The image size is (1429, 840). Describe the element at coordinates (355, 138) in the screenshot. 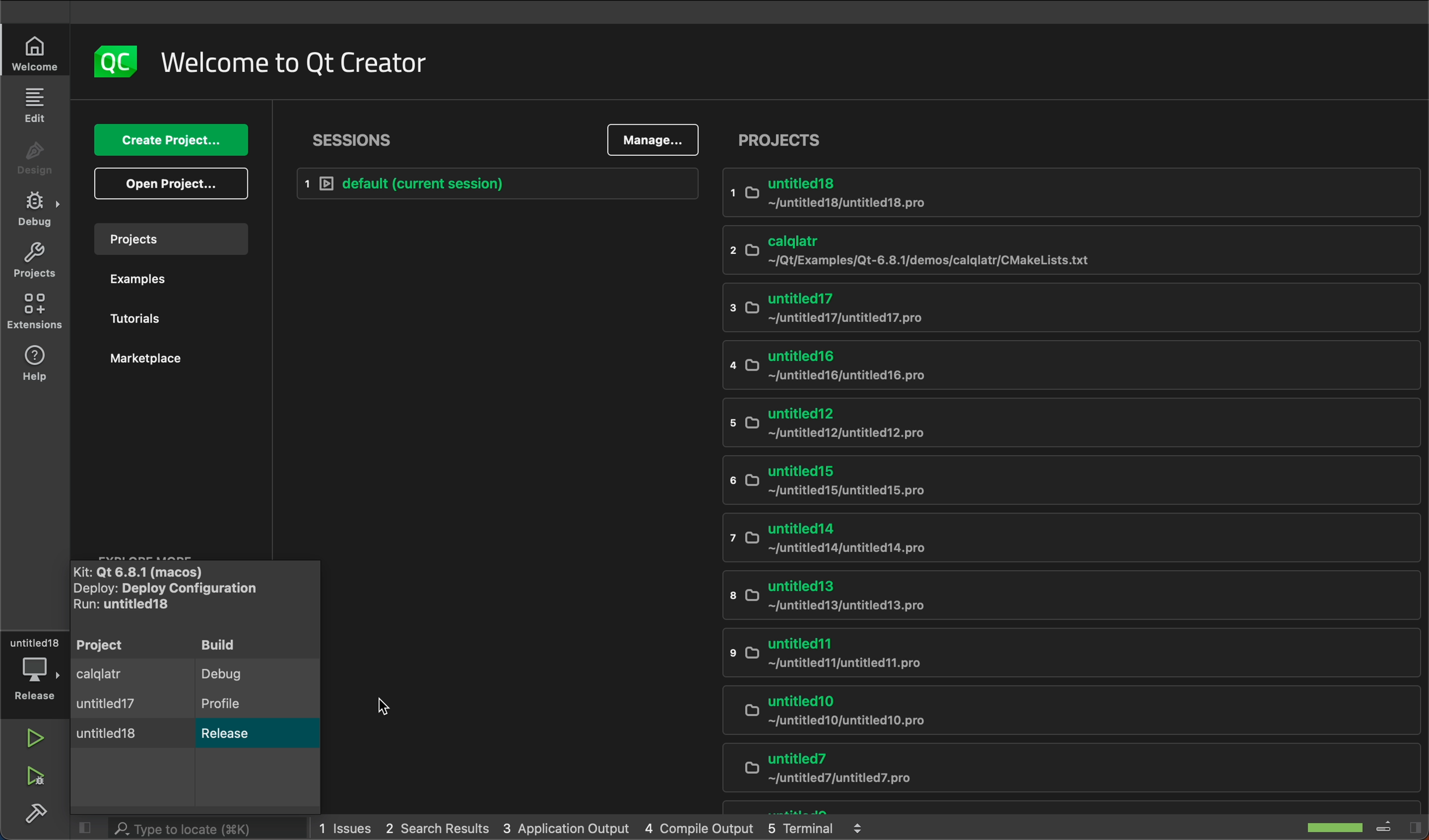

I see `sessions` at that location.